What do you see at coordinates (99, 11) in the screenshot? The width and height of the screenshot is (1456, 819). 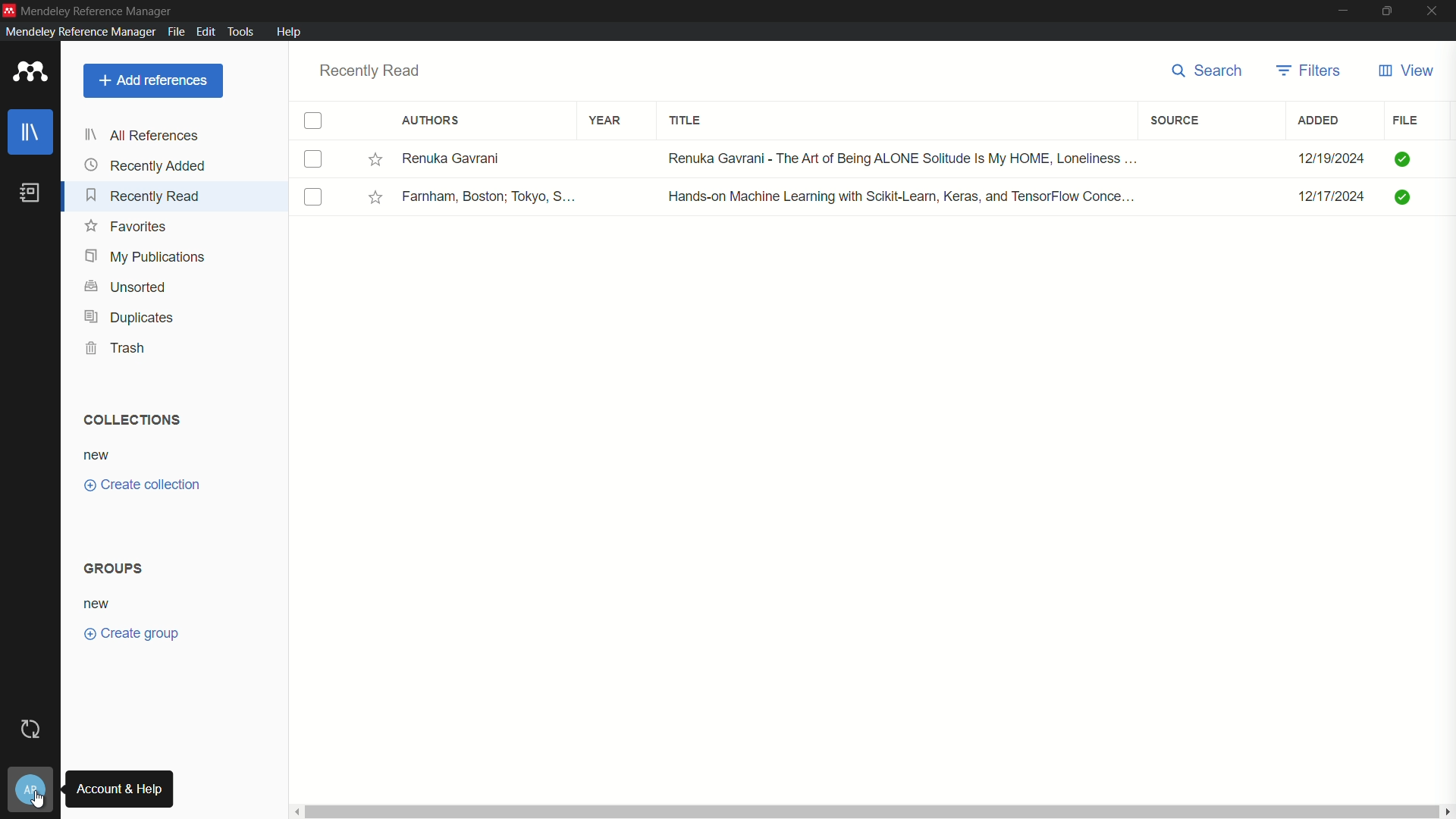 I see `app name` at bounding box center [99, 11].